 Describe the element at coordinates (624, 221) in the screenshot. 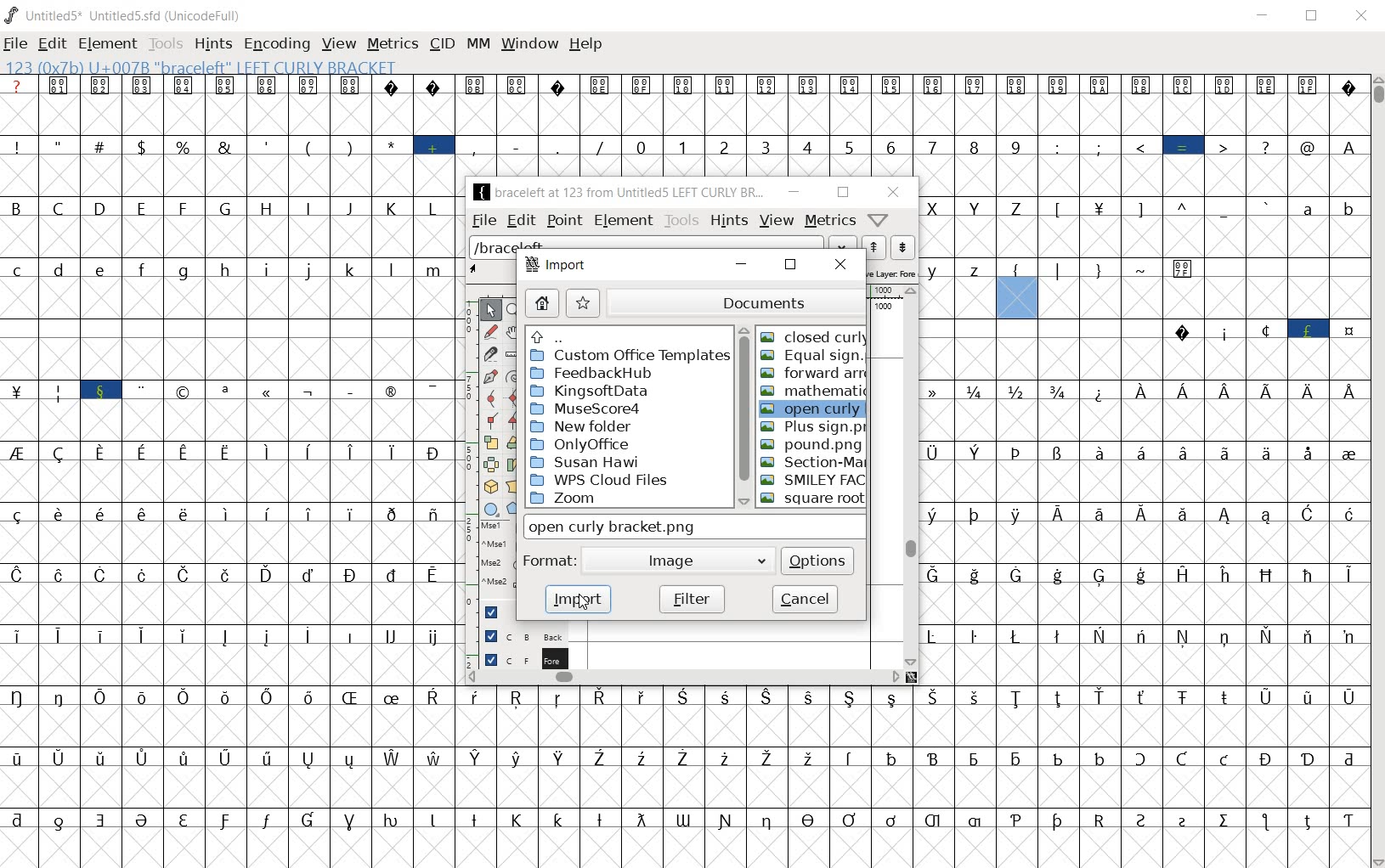

I see `Element` at that location.